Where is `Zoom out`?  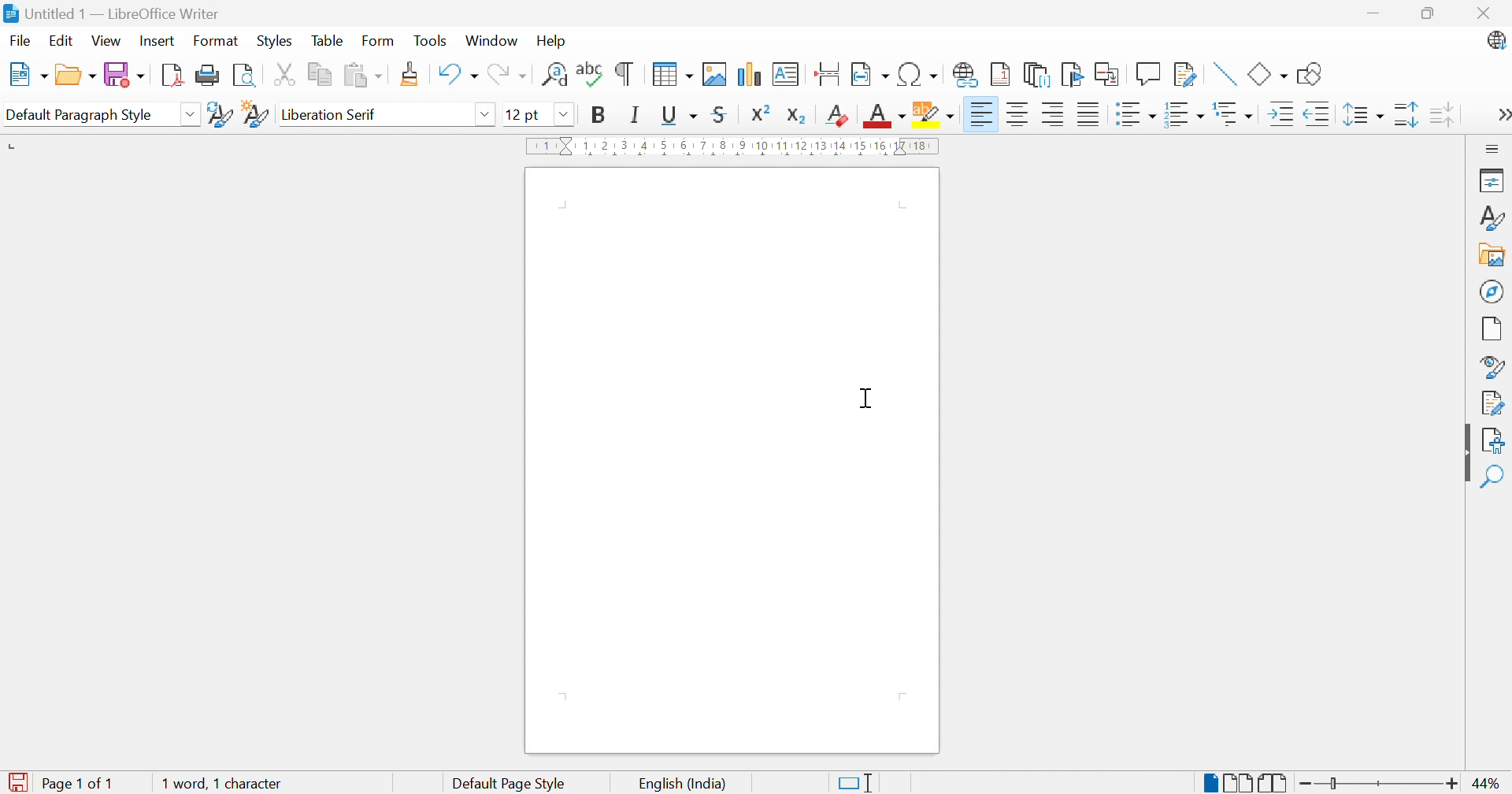
Zoom out is located at coordinates (1299, 784).